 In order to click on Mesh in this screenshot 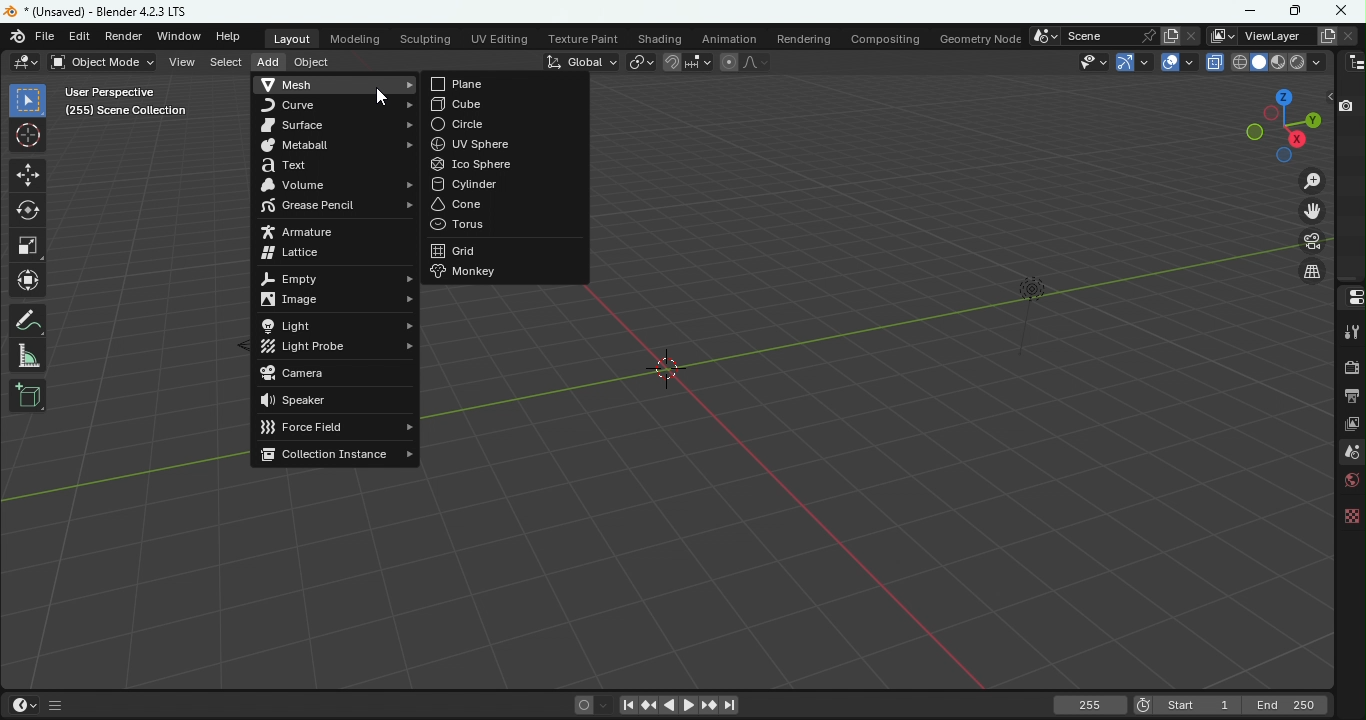, I will do `click(337, 85)`.